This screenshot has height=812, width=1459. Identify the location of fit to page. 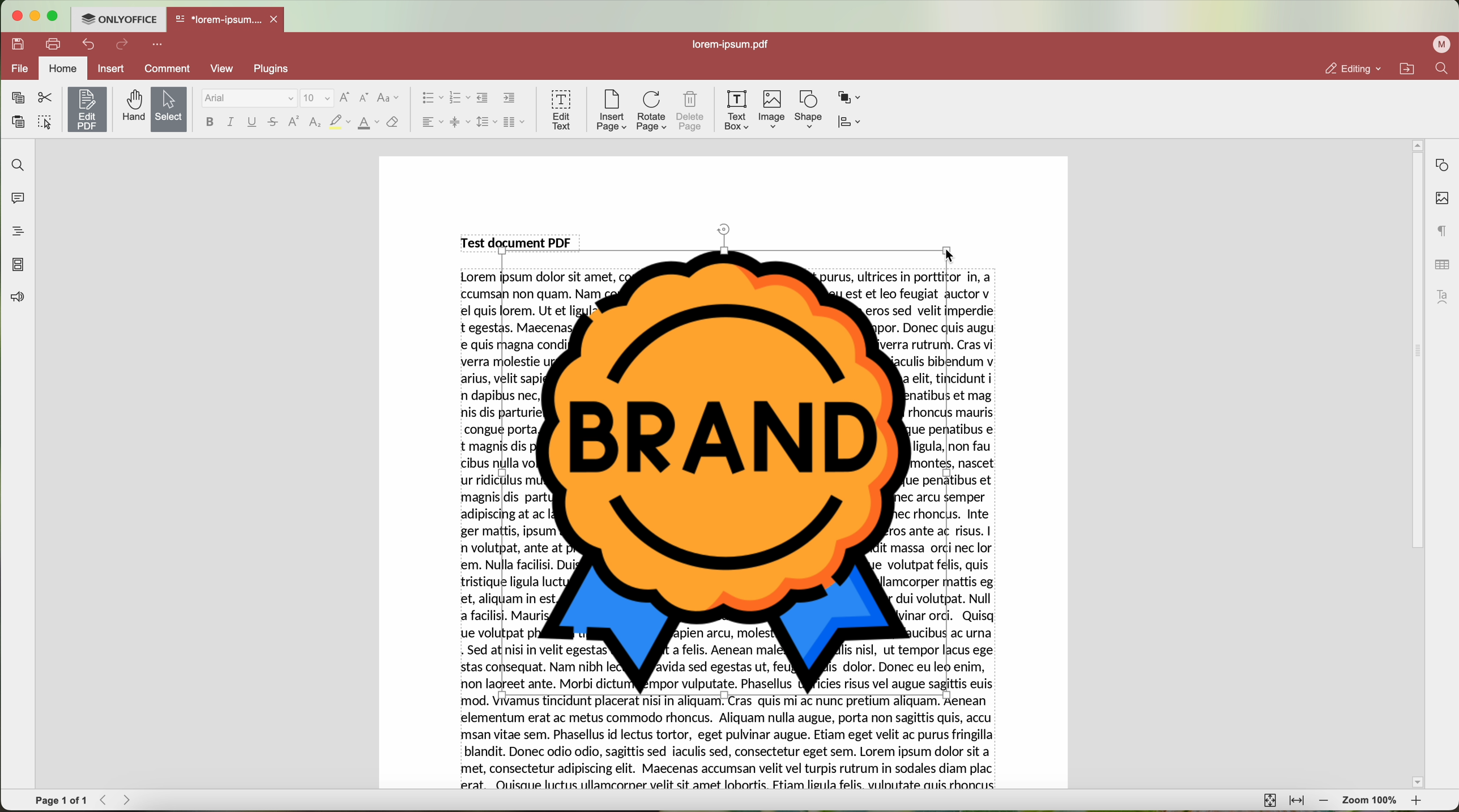
(1268, 800).